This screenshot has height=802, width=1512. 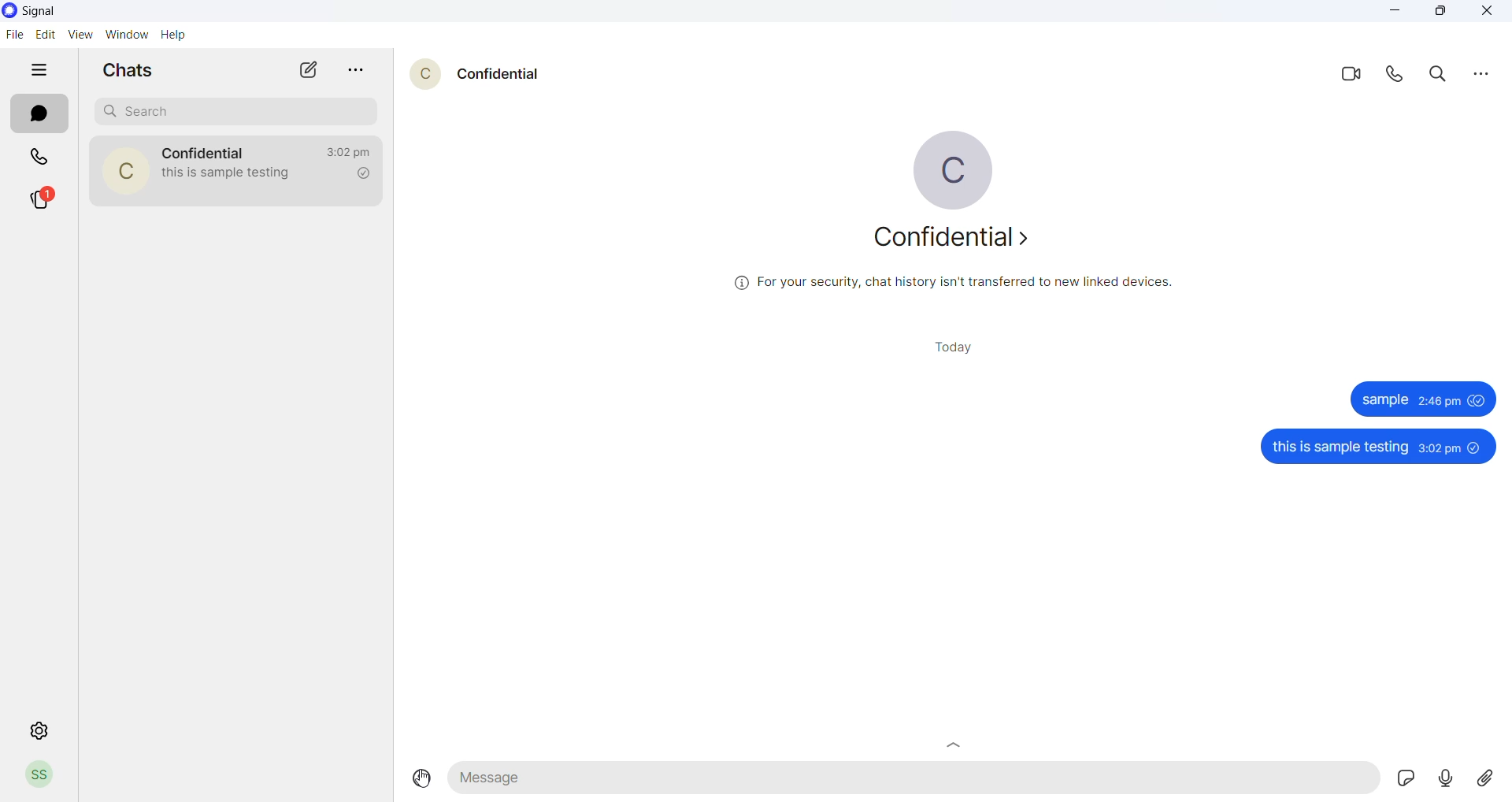 I want to click on contact name, so click(x=502, y=74).